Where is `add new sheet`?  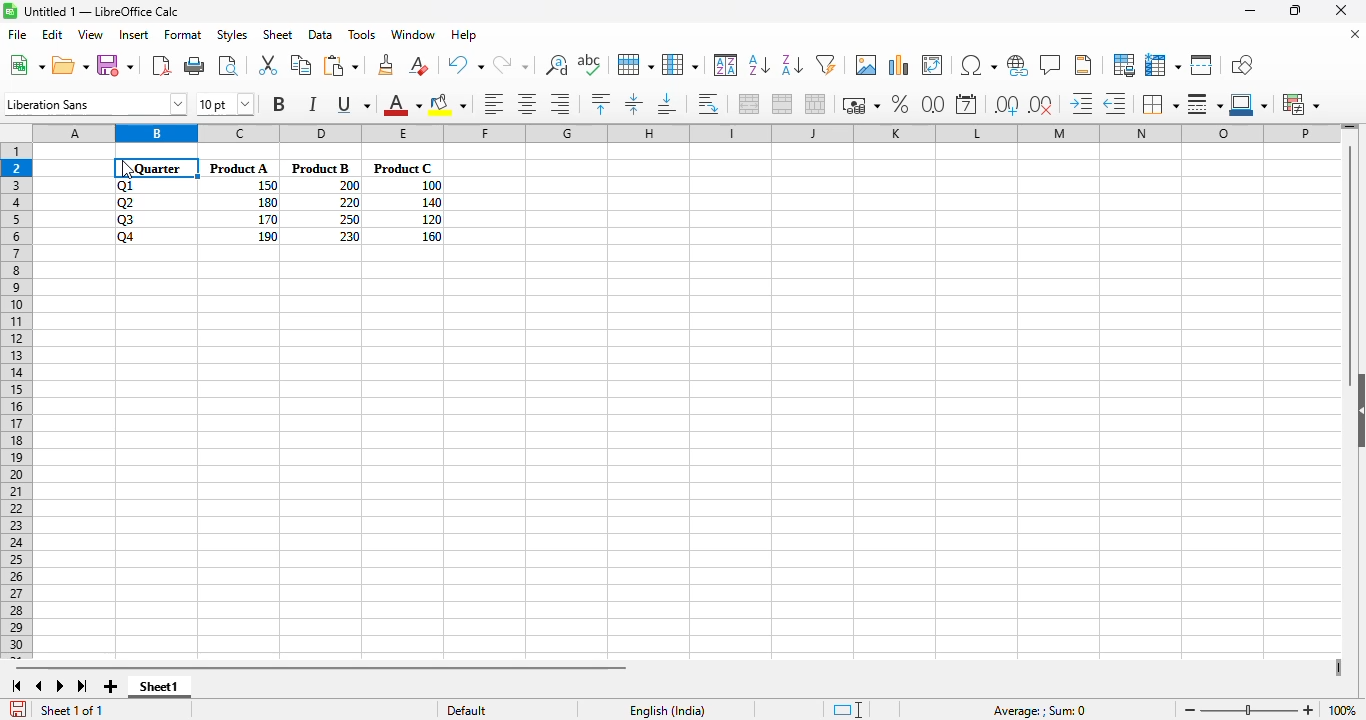
add new sheet is located at coordinates (111, 686).